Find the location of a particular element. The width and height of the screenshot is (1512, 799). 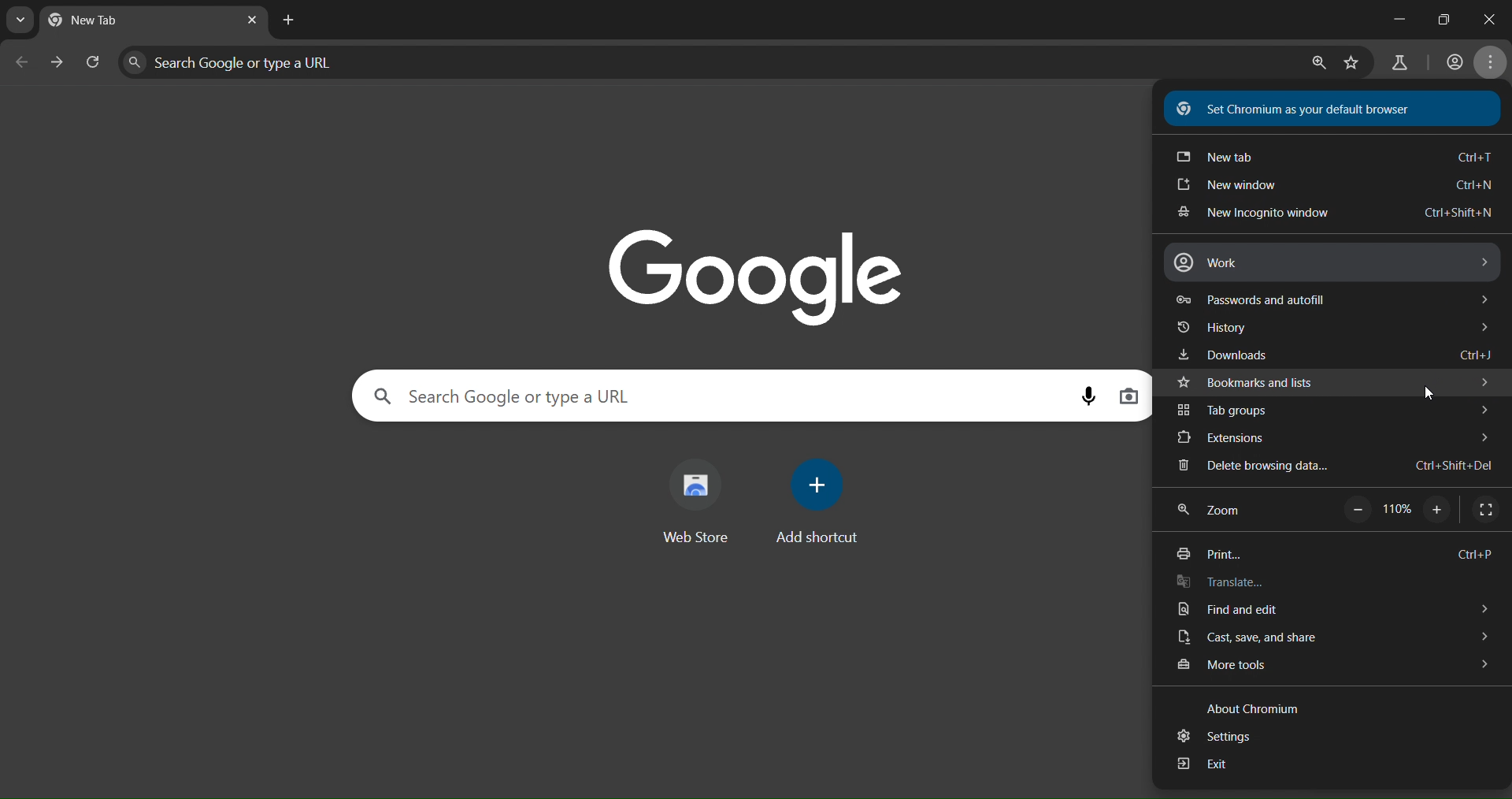

bookmark page is located at coordinates (1353, 64).